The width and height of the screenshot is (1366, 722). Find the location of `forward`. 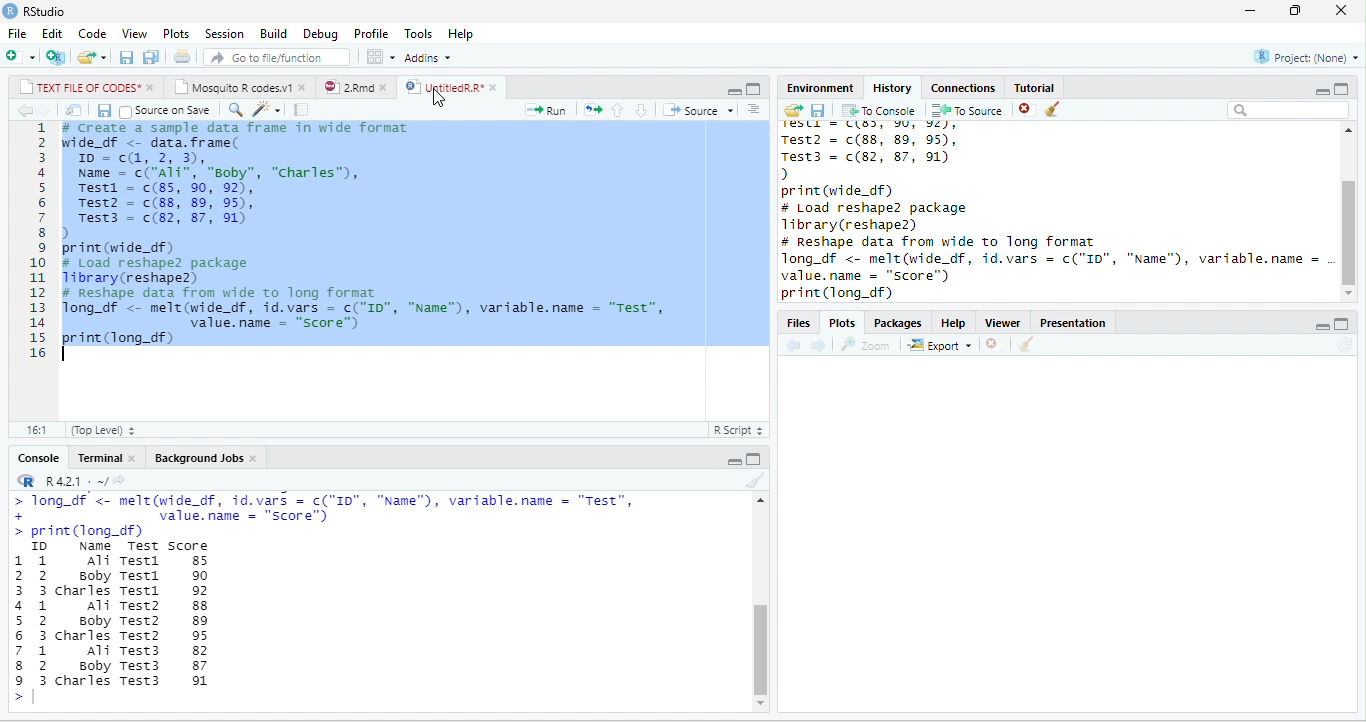

forward is located at coordinates (44, 110).